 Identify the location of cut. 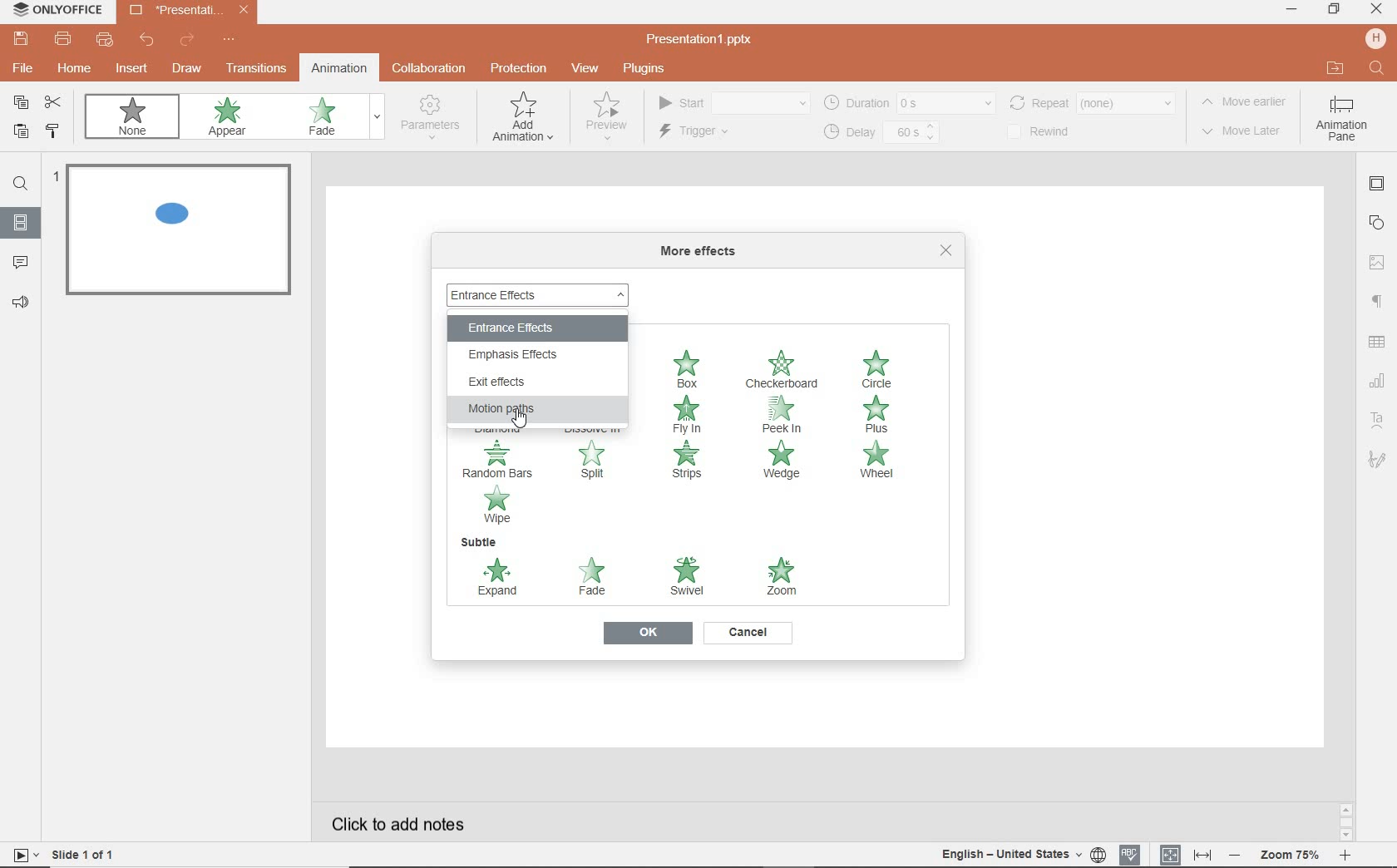
(57, 103).